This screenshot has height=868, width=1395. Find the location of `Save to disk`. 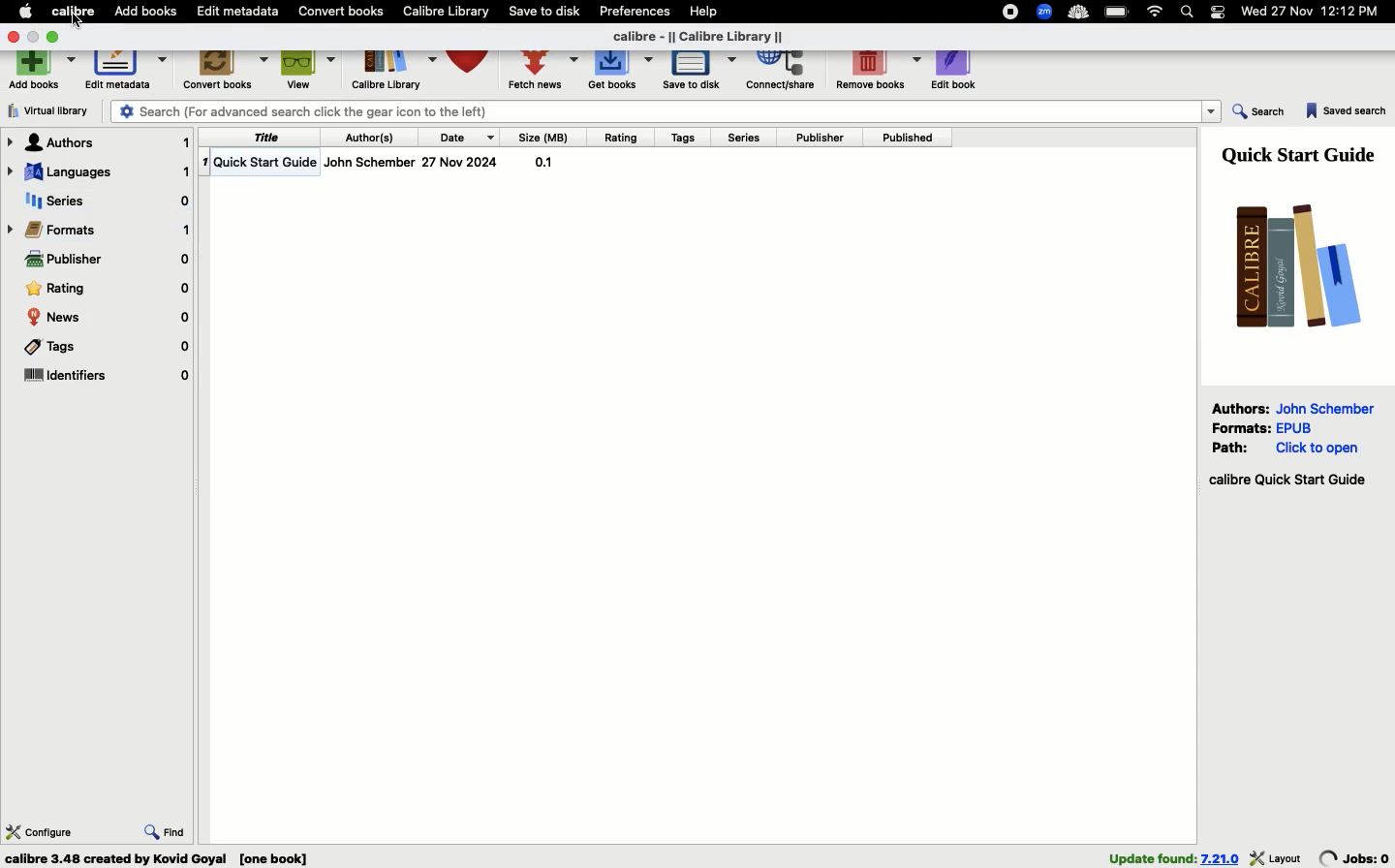

Save to disk is located at coordinates (701, 72).